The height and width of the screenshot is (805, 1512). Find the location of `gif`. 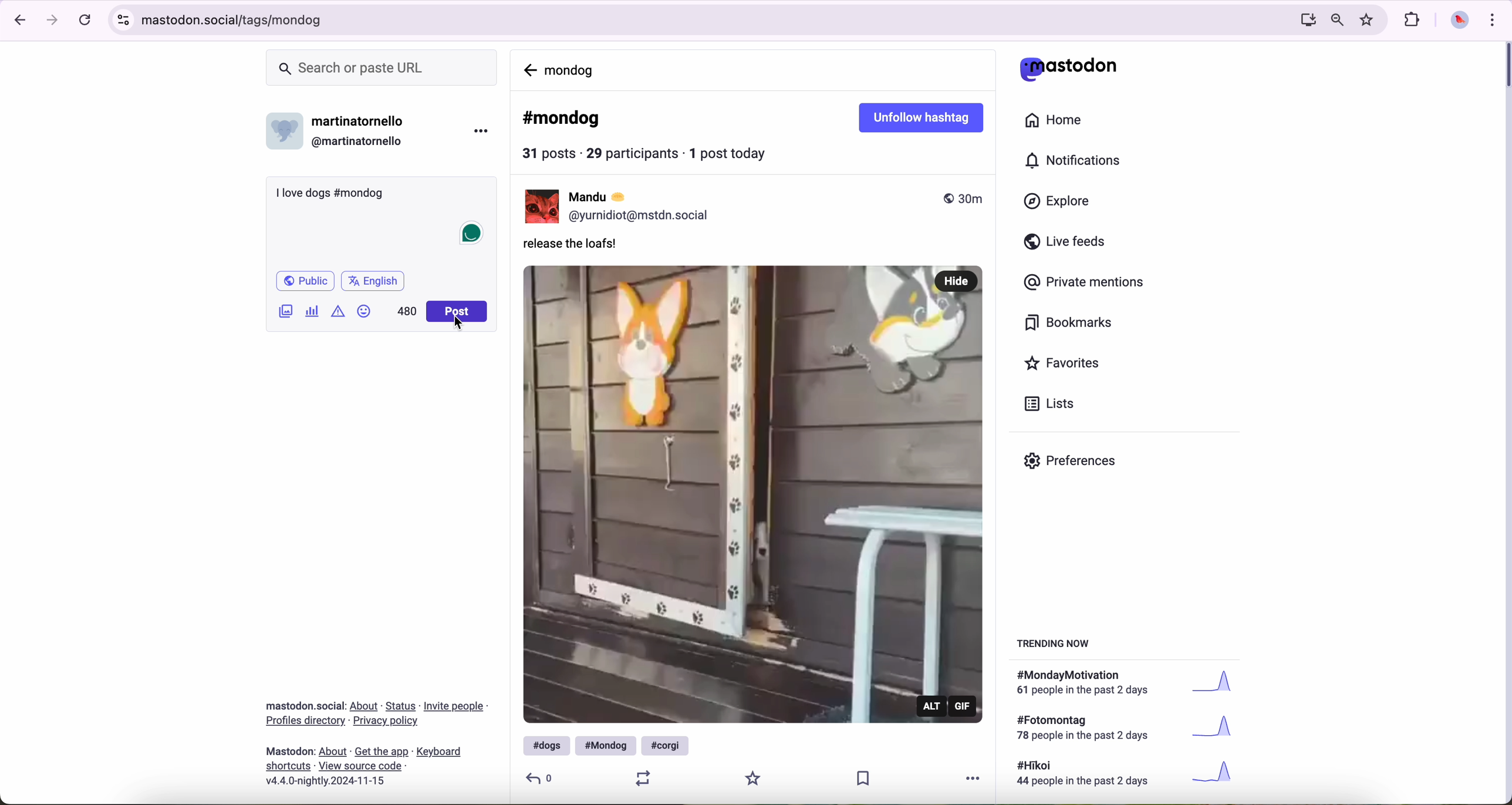

gif is located at coordinates (753, 492).